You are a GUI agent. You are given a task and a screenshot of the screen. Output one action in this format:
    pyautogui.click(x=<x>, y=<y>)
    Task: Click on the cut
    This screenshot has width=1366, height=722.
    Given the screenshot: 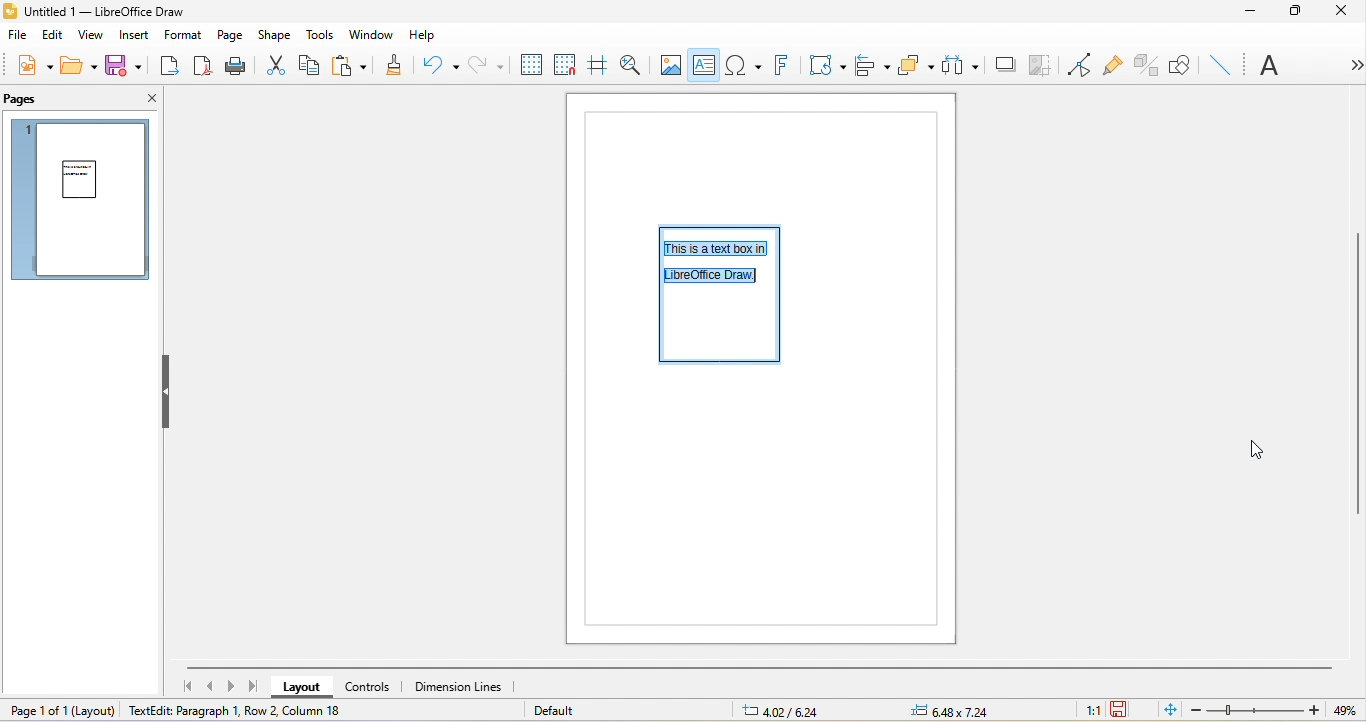 What is the action you would take?
    pyautogui.click(x=274, y=64)
    